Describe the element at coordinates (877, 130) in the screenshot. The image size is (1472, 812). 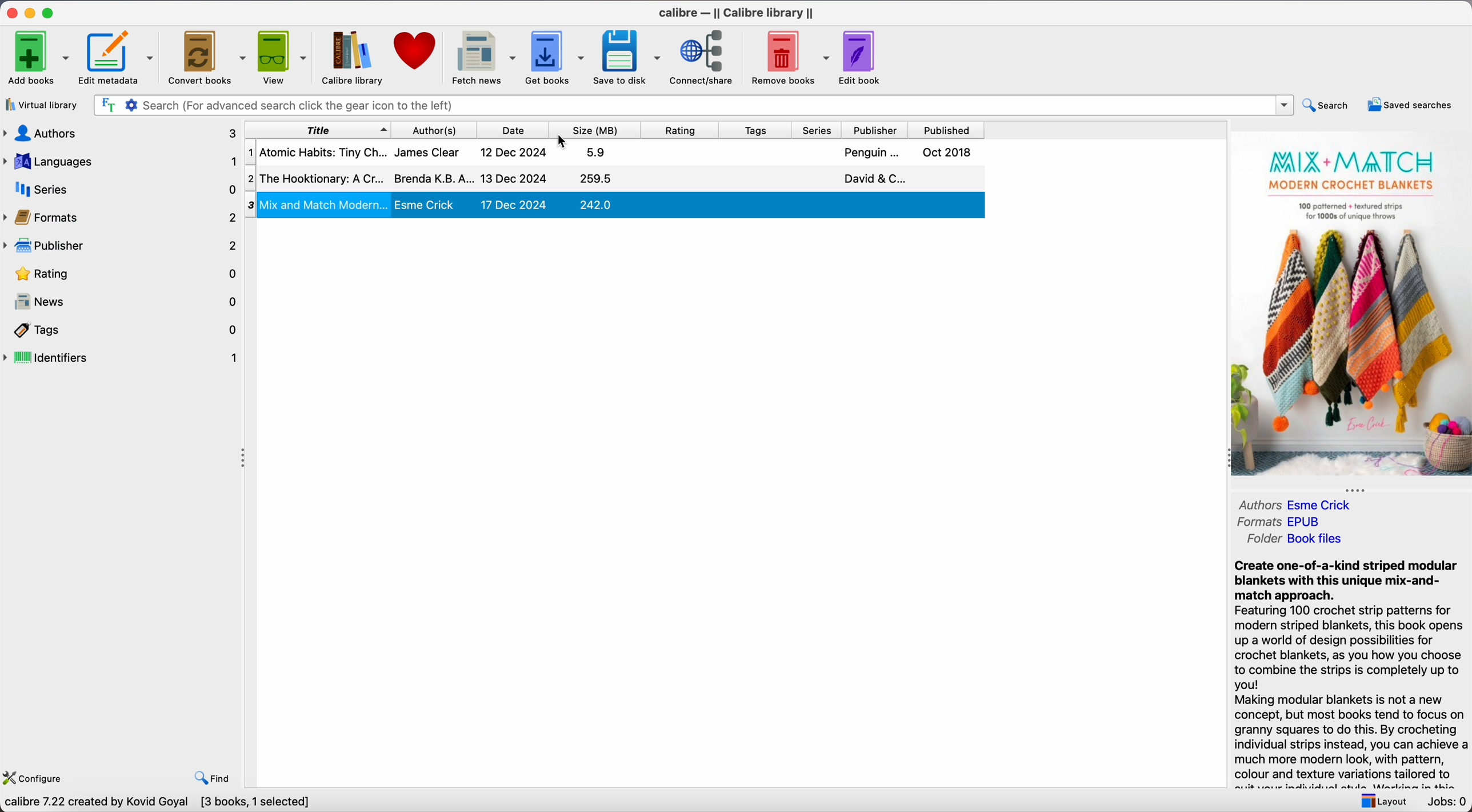
I see `publisher` at that location.